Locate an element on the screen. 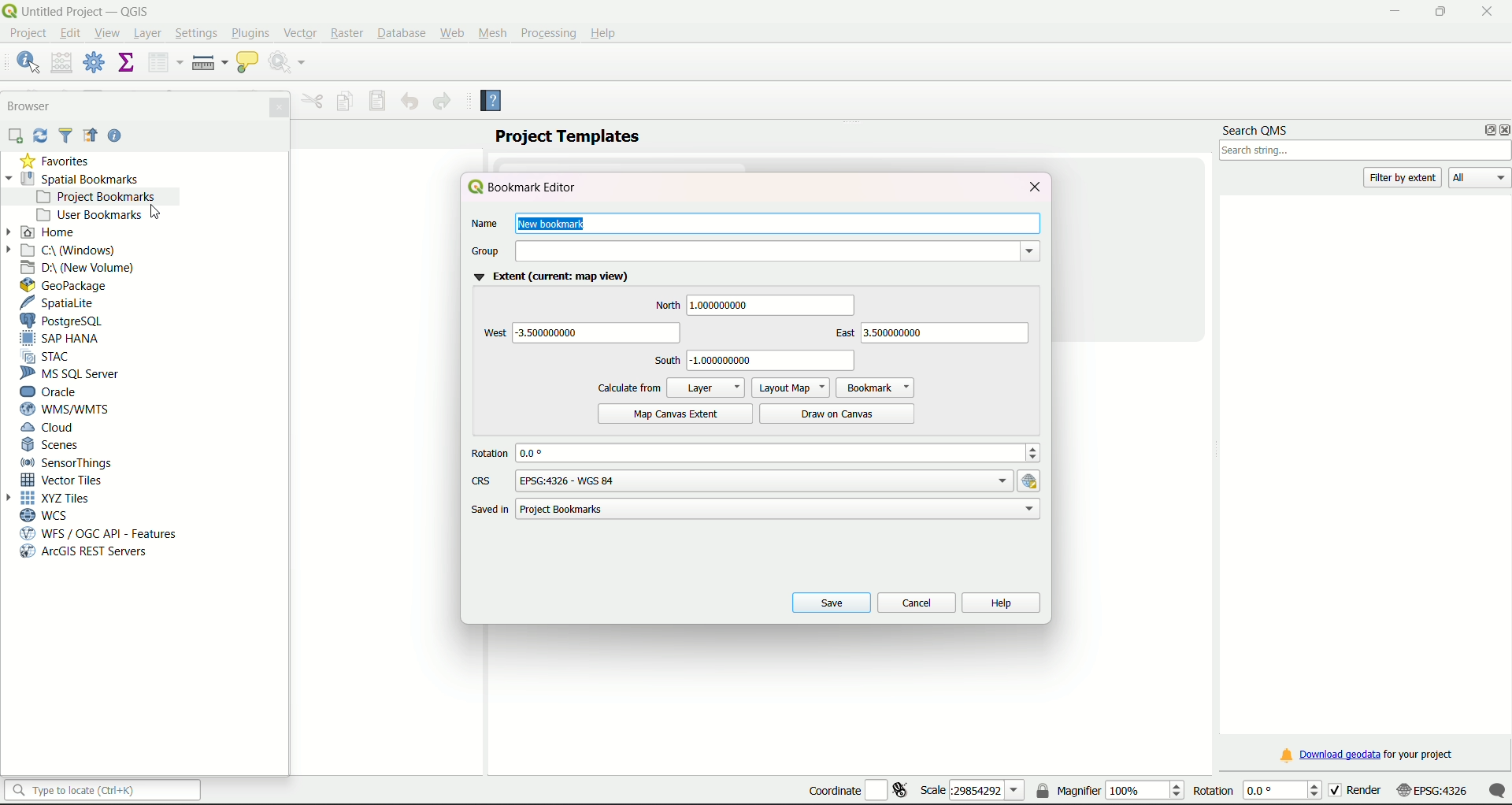  XYZ Tiles is located at coordinates (55, 499).